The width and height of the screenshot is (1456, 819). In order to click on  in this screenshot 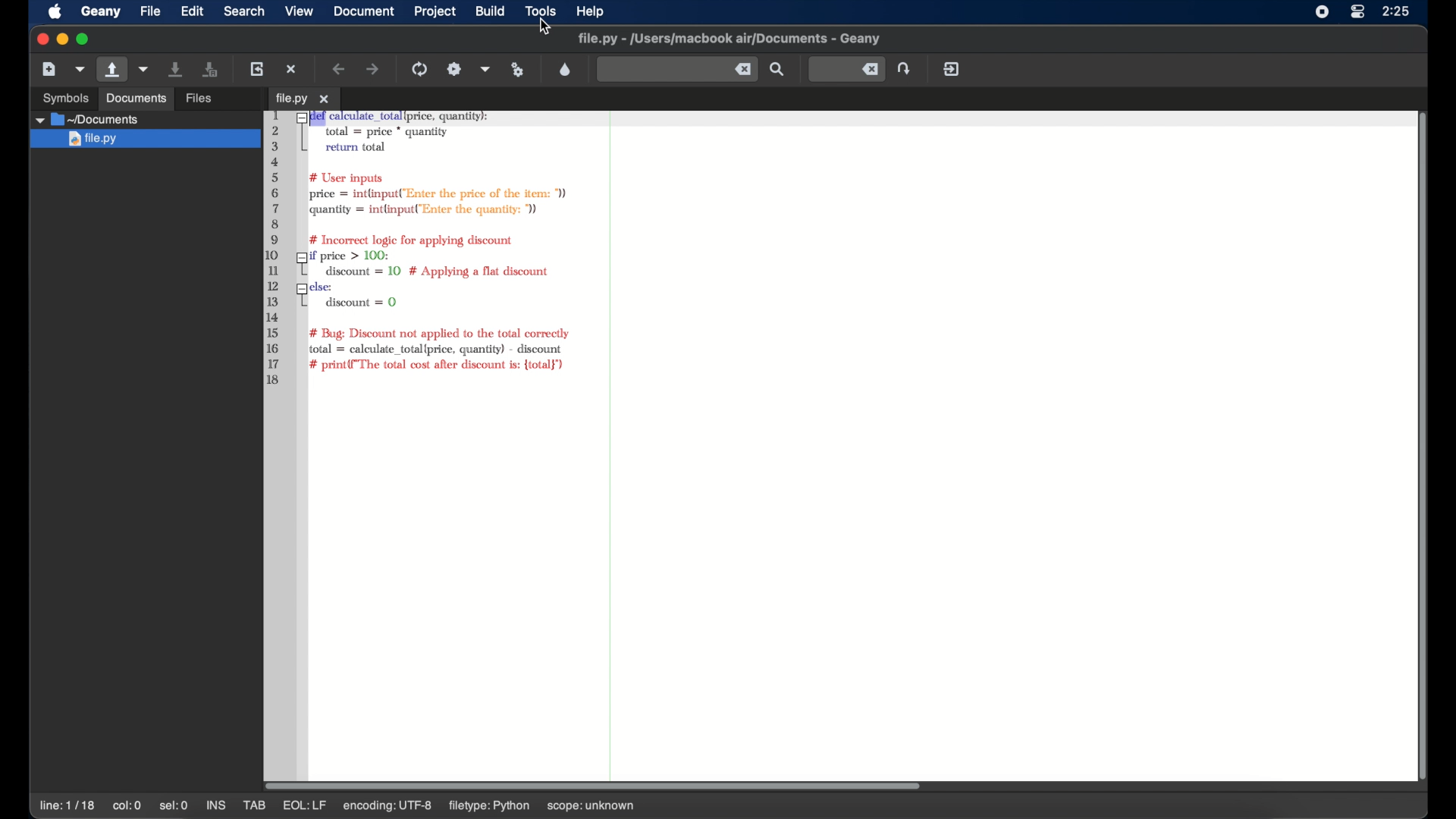, I will do `click(59, 96)`.